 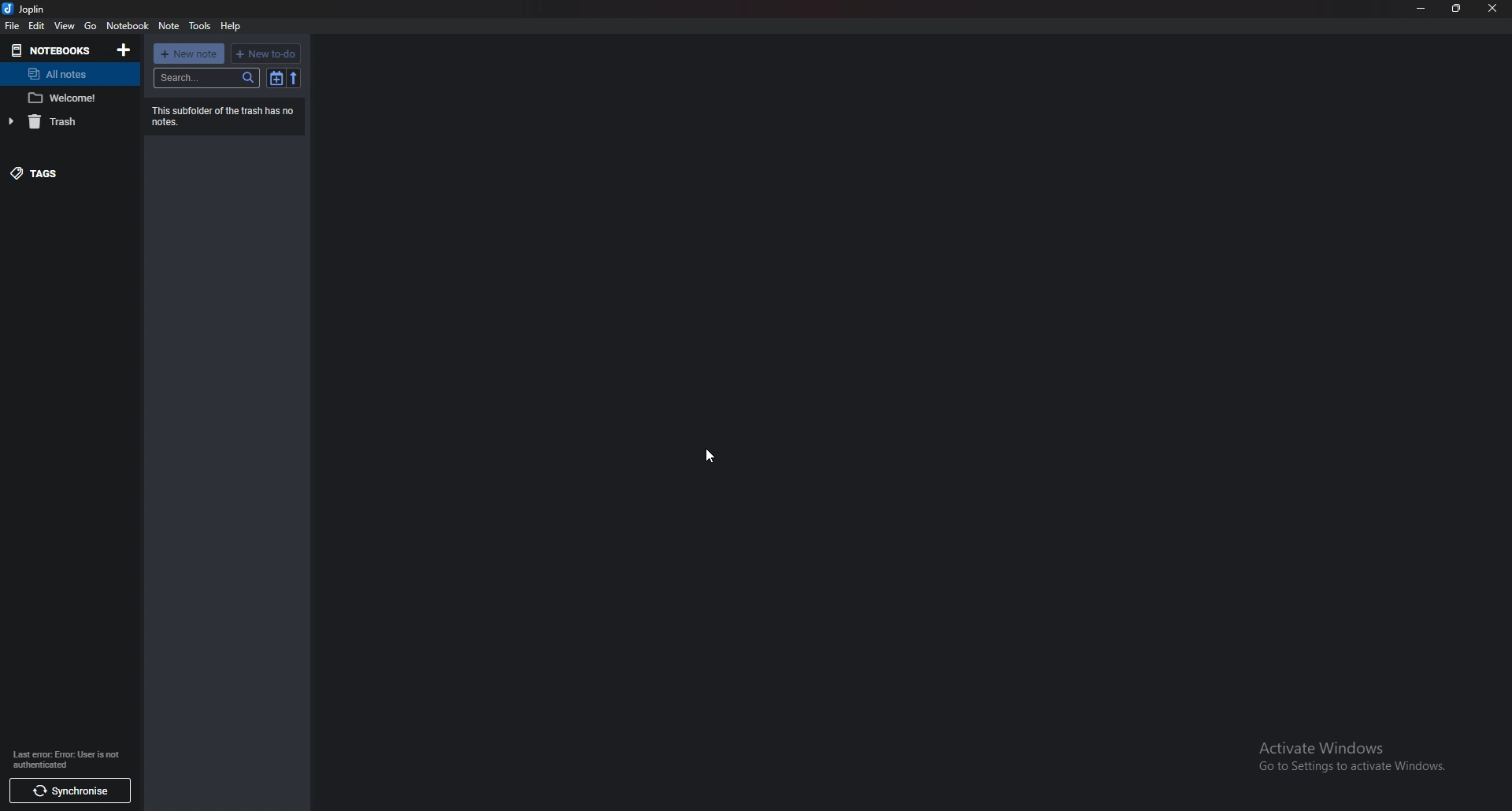 What do you see at coordinates (201, 26) in the screenshot?
I see `Tools` at bounding box center [201, 26].